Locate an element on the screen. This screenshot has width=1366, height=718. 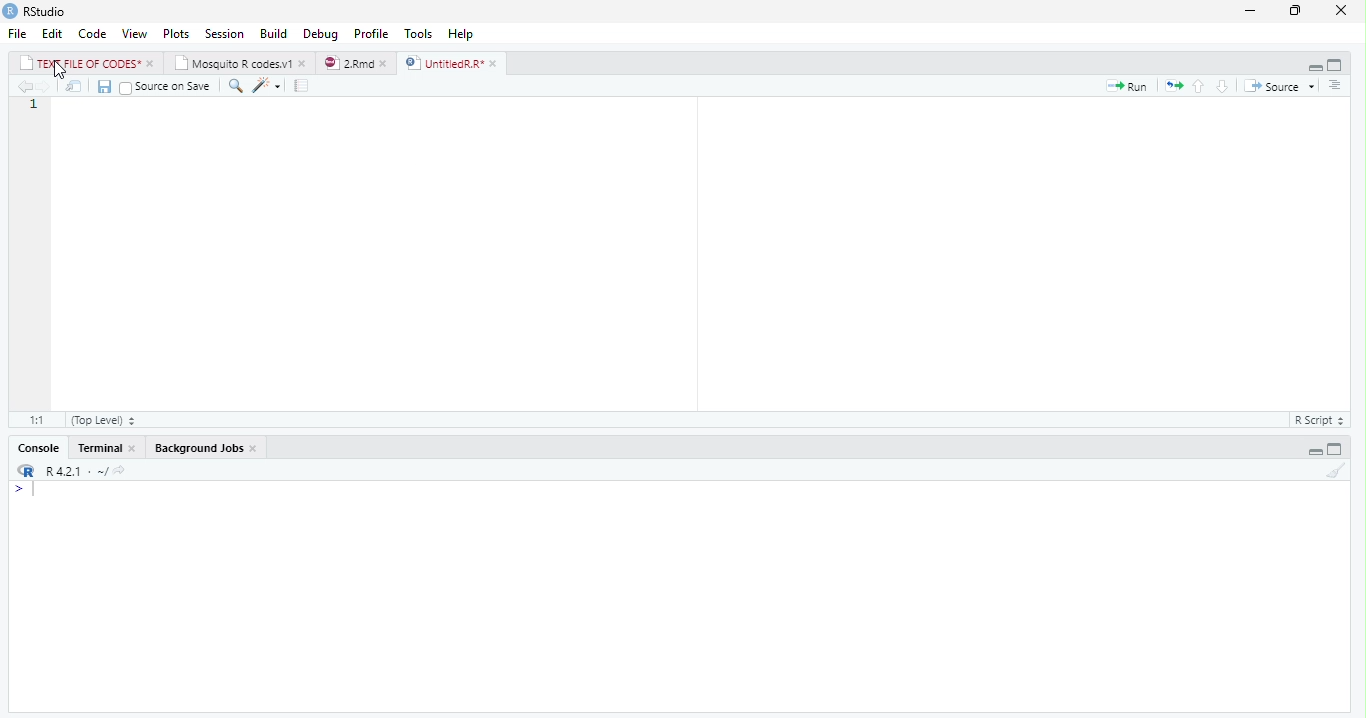
Mosquito R codes.v1 is located at coordinates (239, 62).